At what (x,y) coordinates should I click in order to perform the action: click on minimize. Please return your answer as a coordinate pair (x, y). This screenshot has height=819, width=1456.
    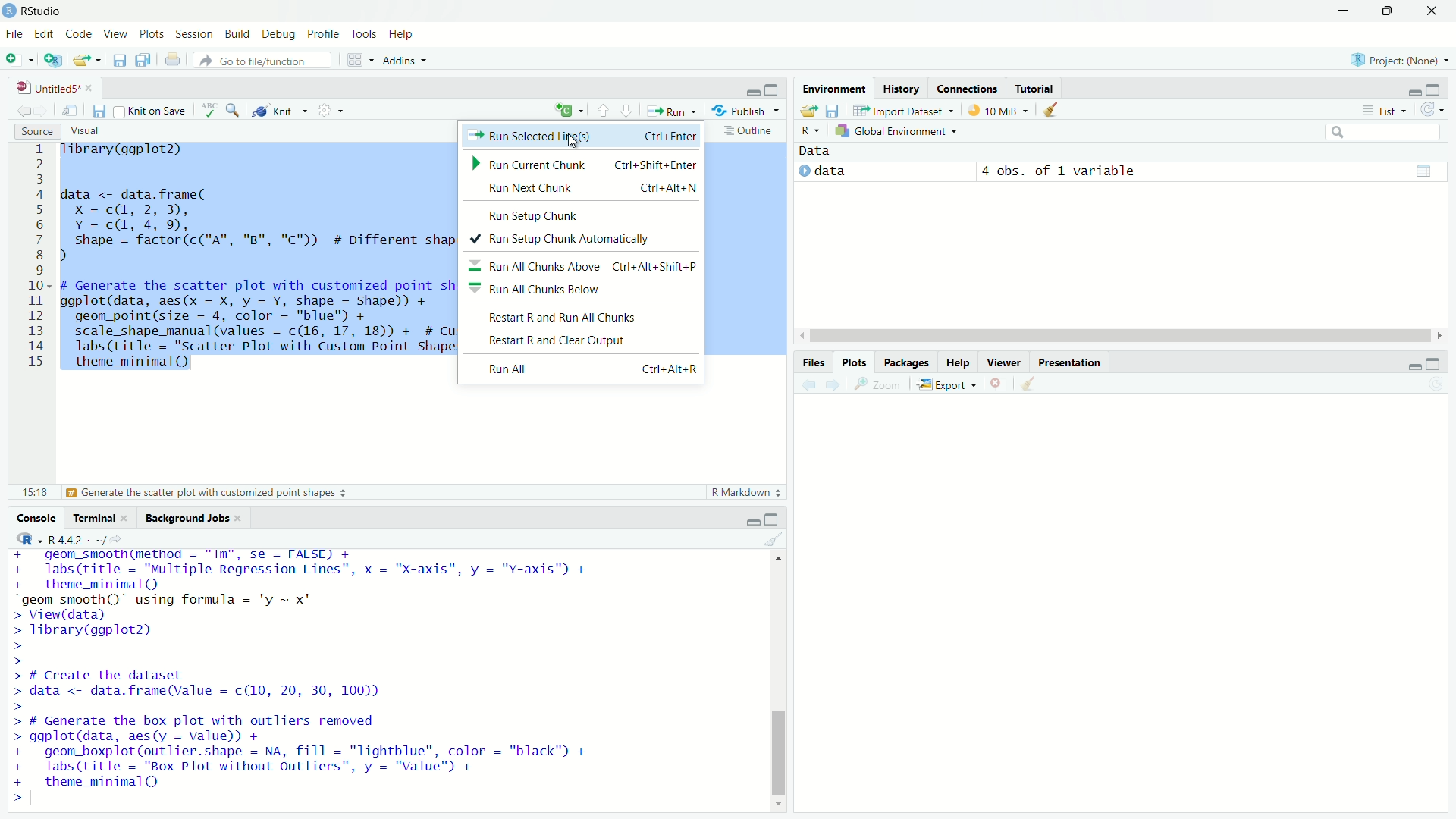
    Looking at the image, I should click on (752, 521).